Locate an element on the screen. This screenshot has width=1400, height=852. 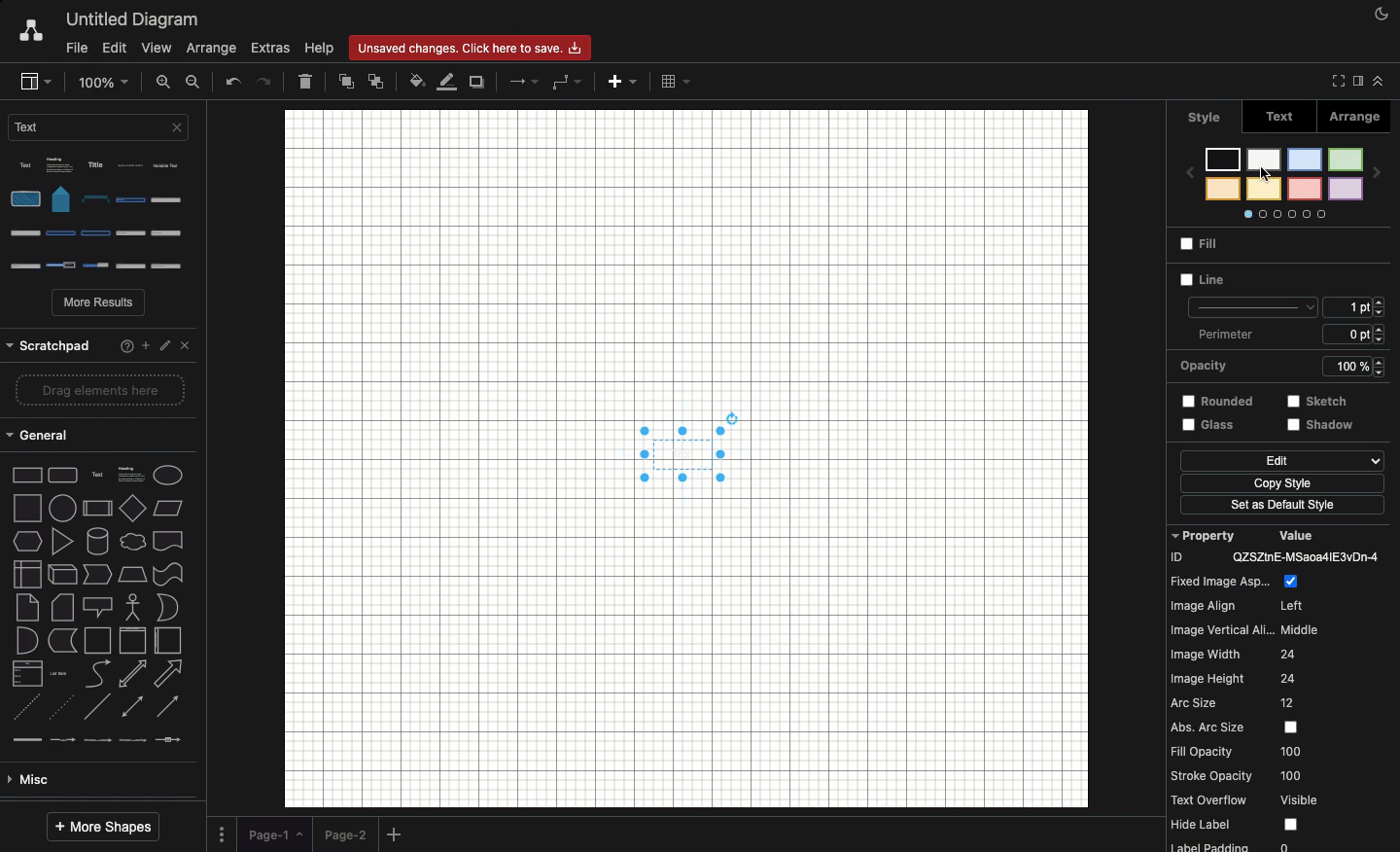
Duplicate is located at coordinates (478, 83).